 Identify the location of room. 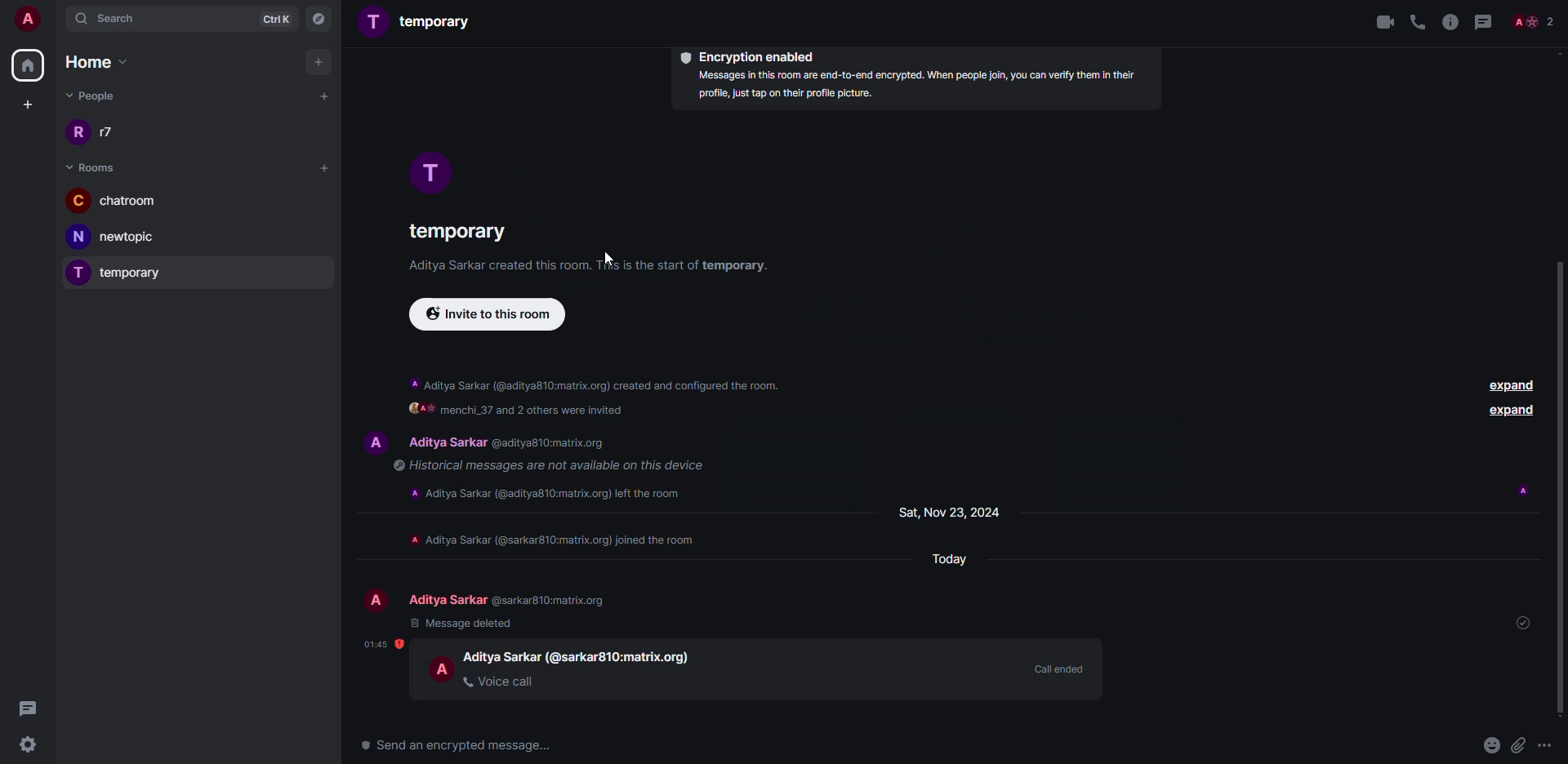
(452, 229).